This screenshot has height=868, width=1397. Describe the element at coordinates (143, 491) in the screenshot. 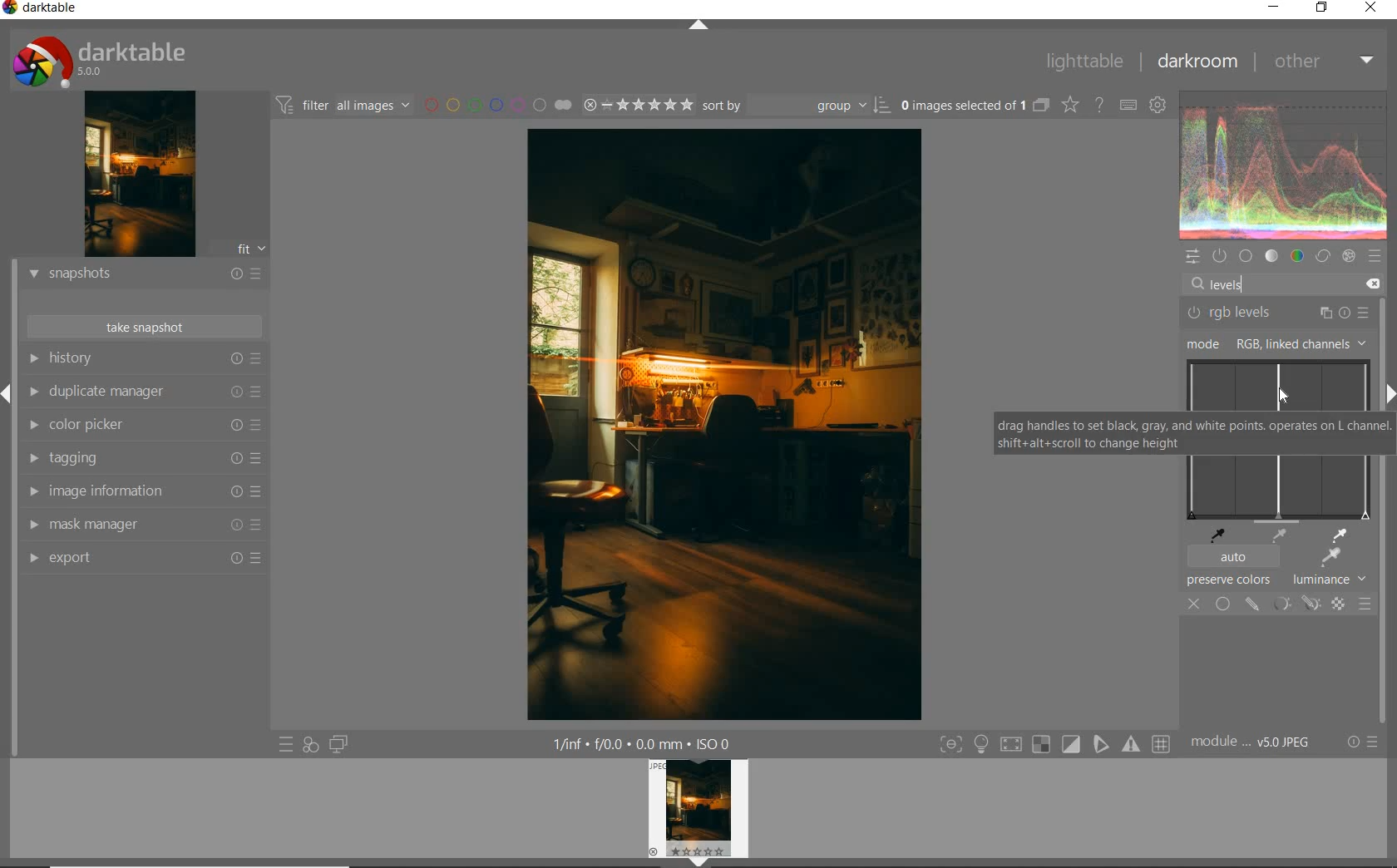

I see `image information` at that location.